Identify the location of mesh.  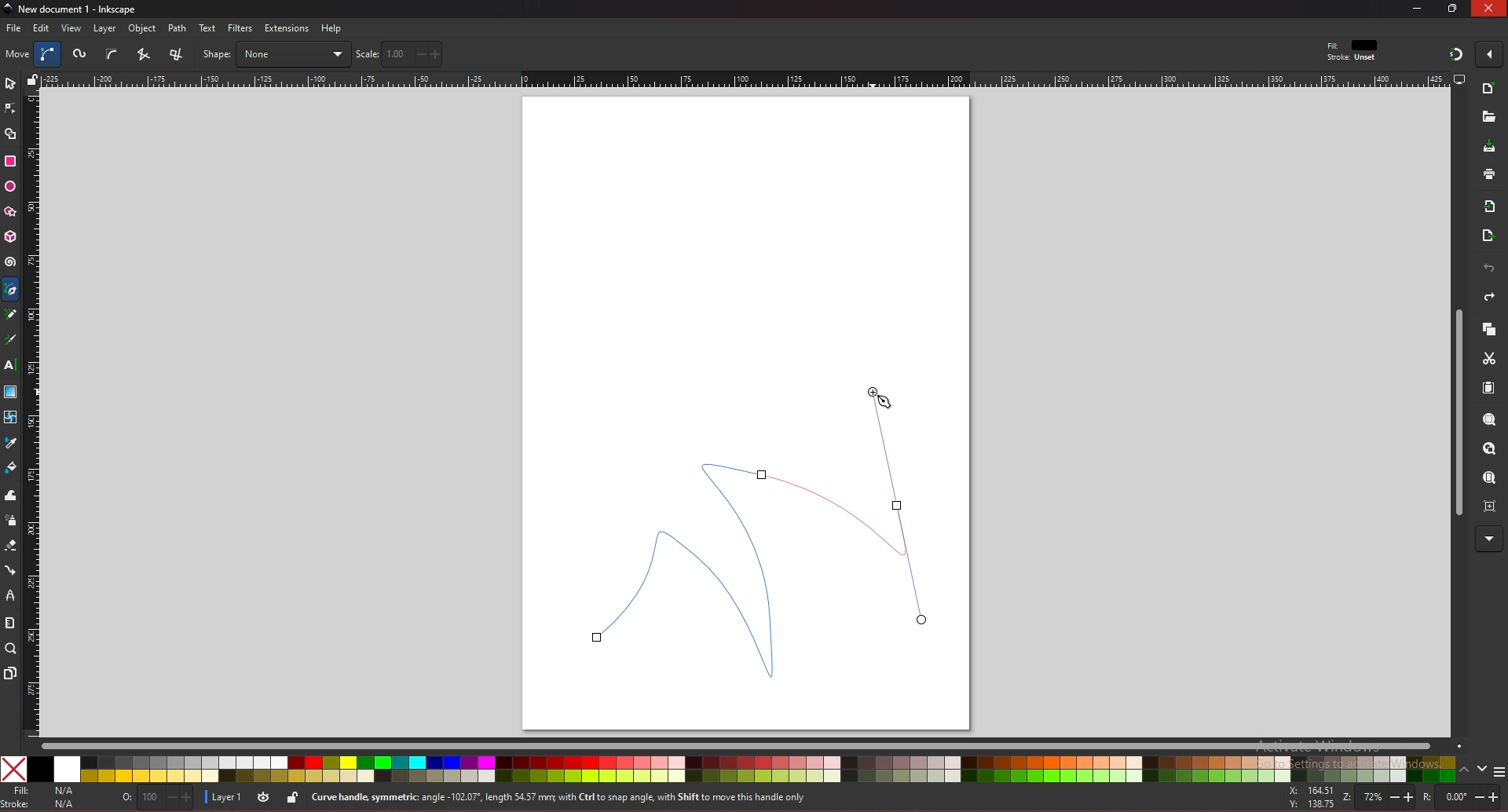
(9, 417).